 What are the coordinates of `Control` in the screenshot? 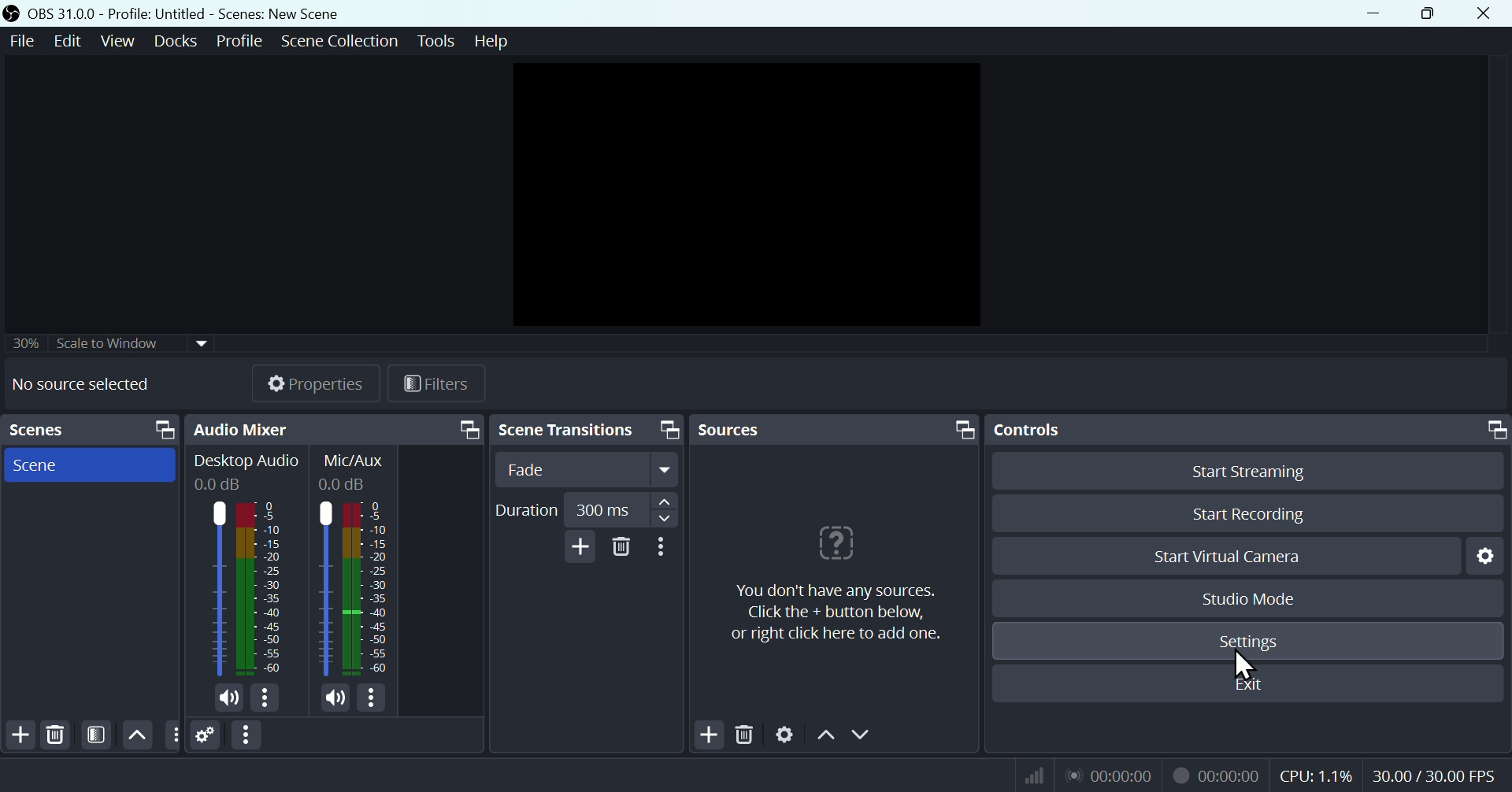 It's located at (1250, 428).